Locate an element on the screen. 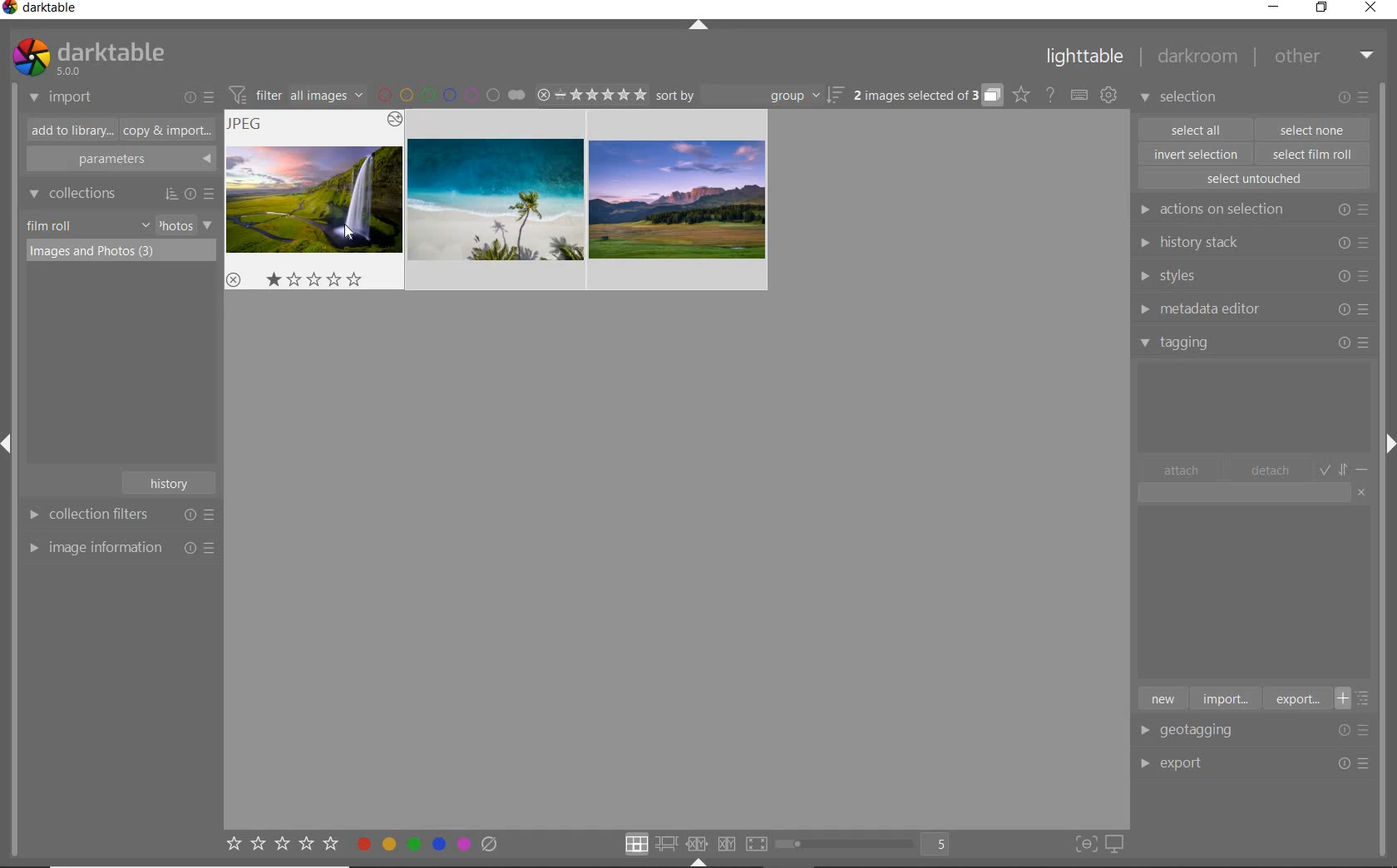  system logo is located at coordinates (87, 57).